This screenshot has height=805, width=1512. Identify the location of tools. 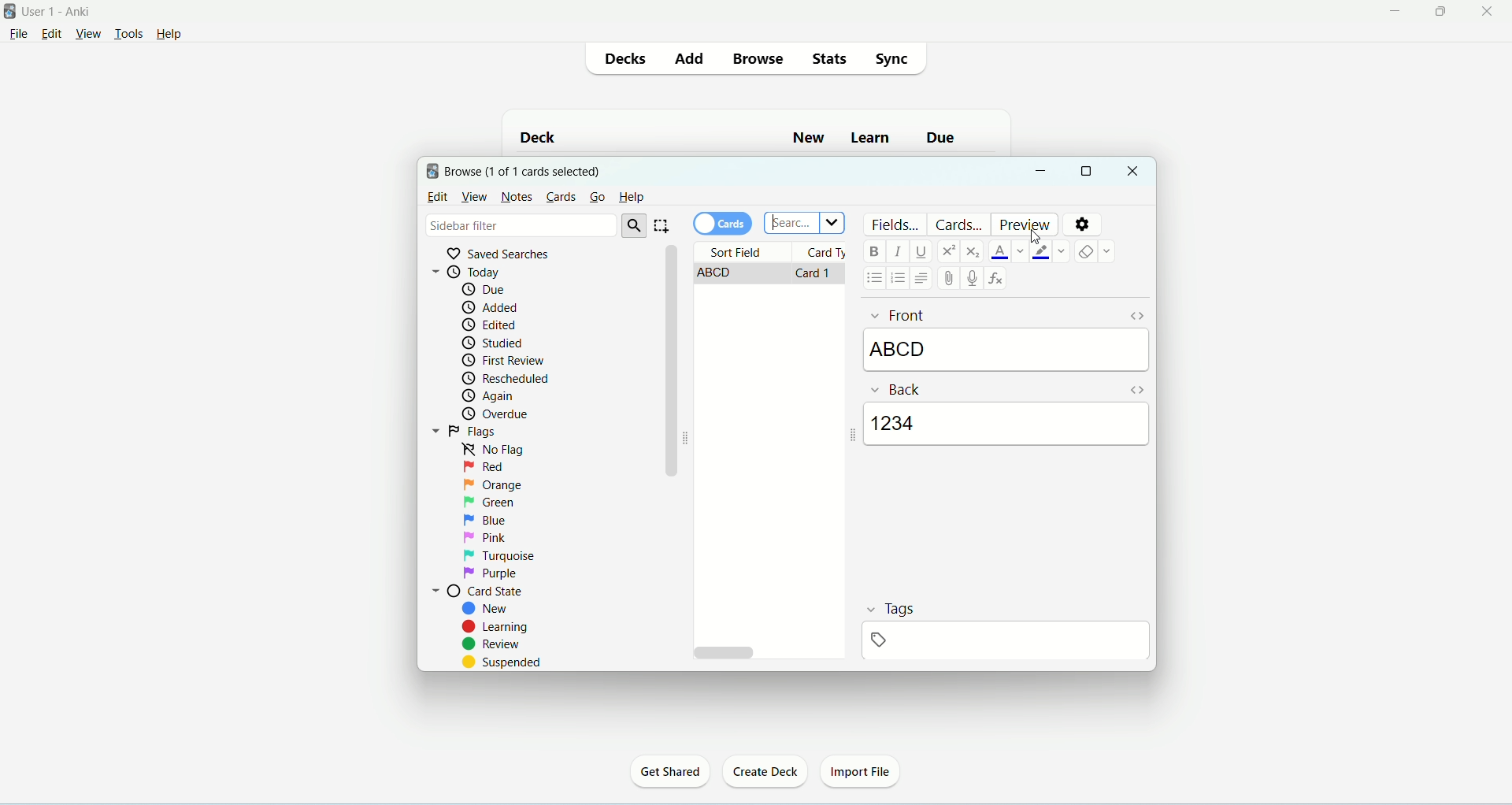
(128, 35).